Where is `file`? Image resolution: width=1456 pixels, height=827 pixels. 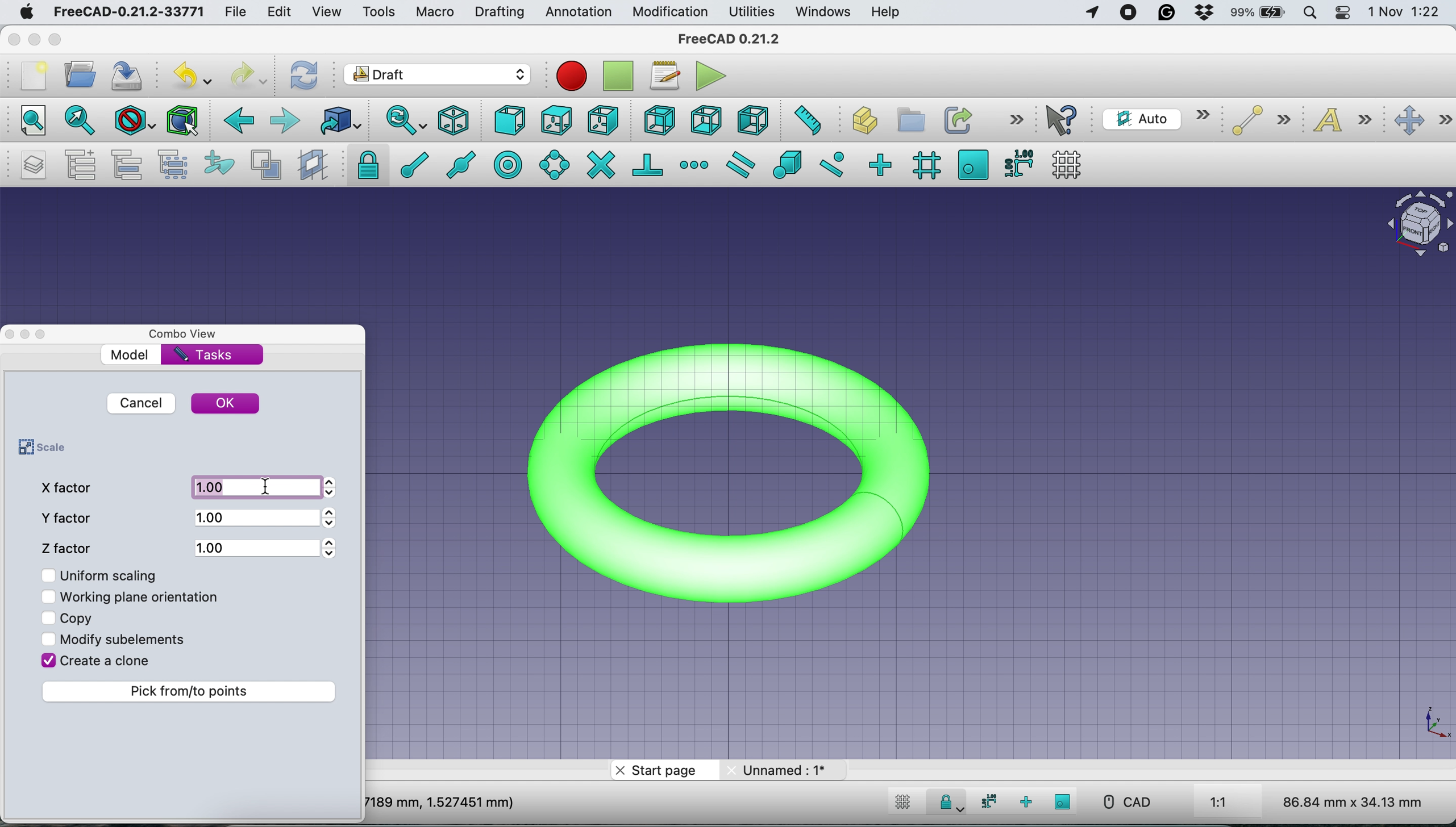 file is located at coordinates (240, 12).